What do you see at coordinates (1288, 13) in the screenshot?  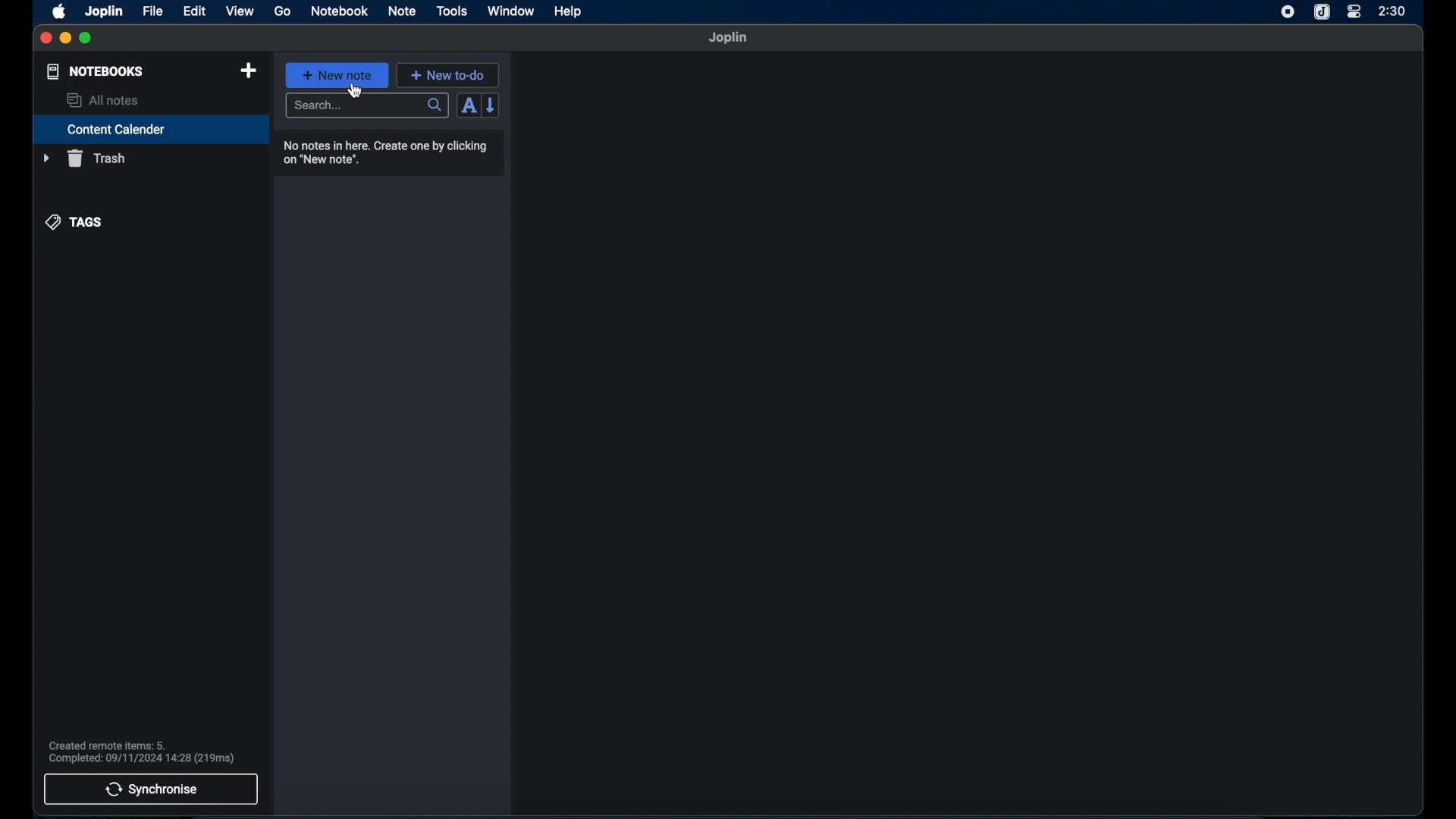 I see `screen recorder icon` at bounding box center [1288, 13].